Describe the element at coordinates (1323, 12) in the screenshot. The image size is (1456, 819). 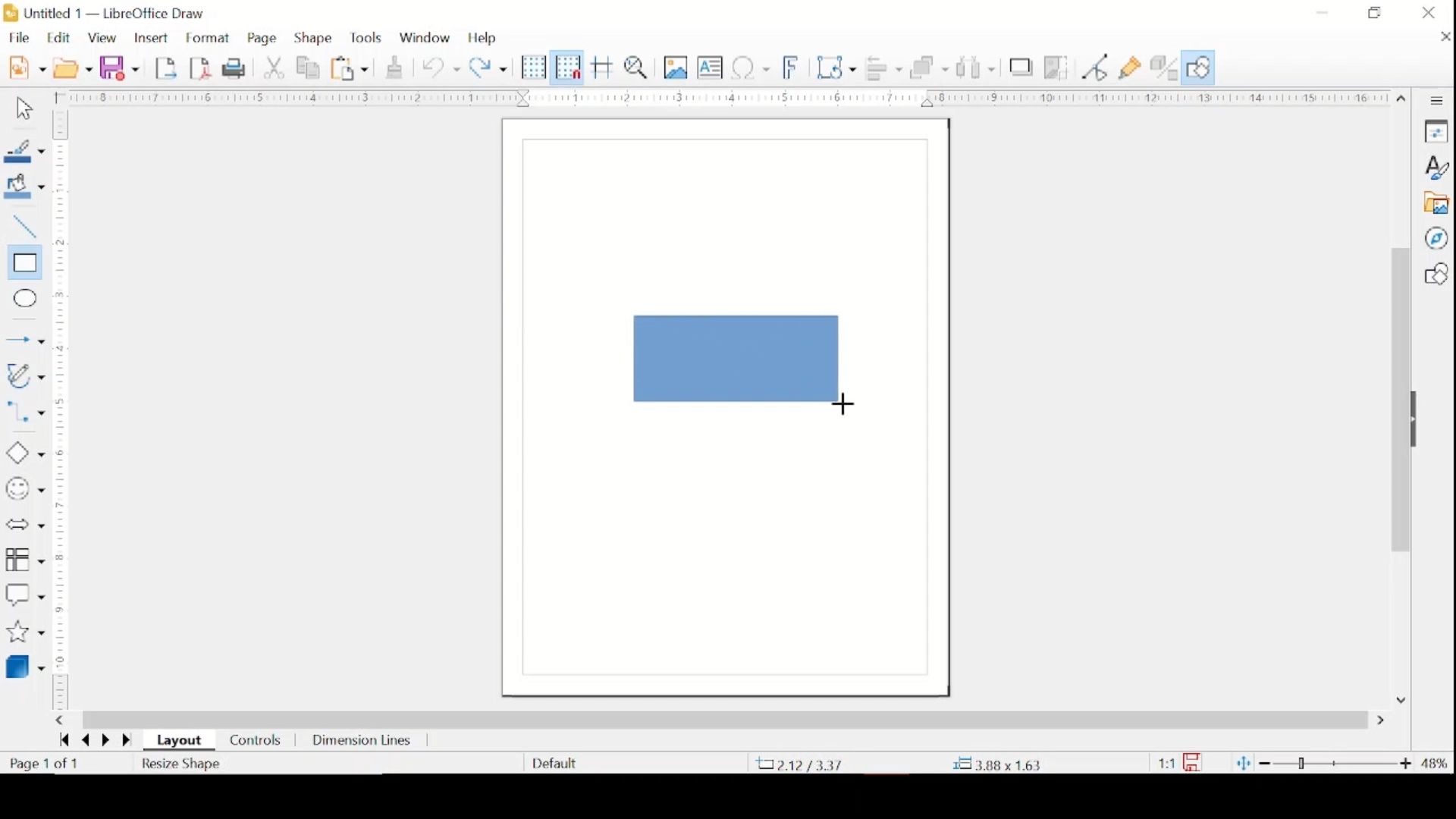
I see `minimize` at that location.